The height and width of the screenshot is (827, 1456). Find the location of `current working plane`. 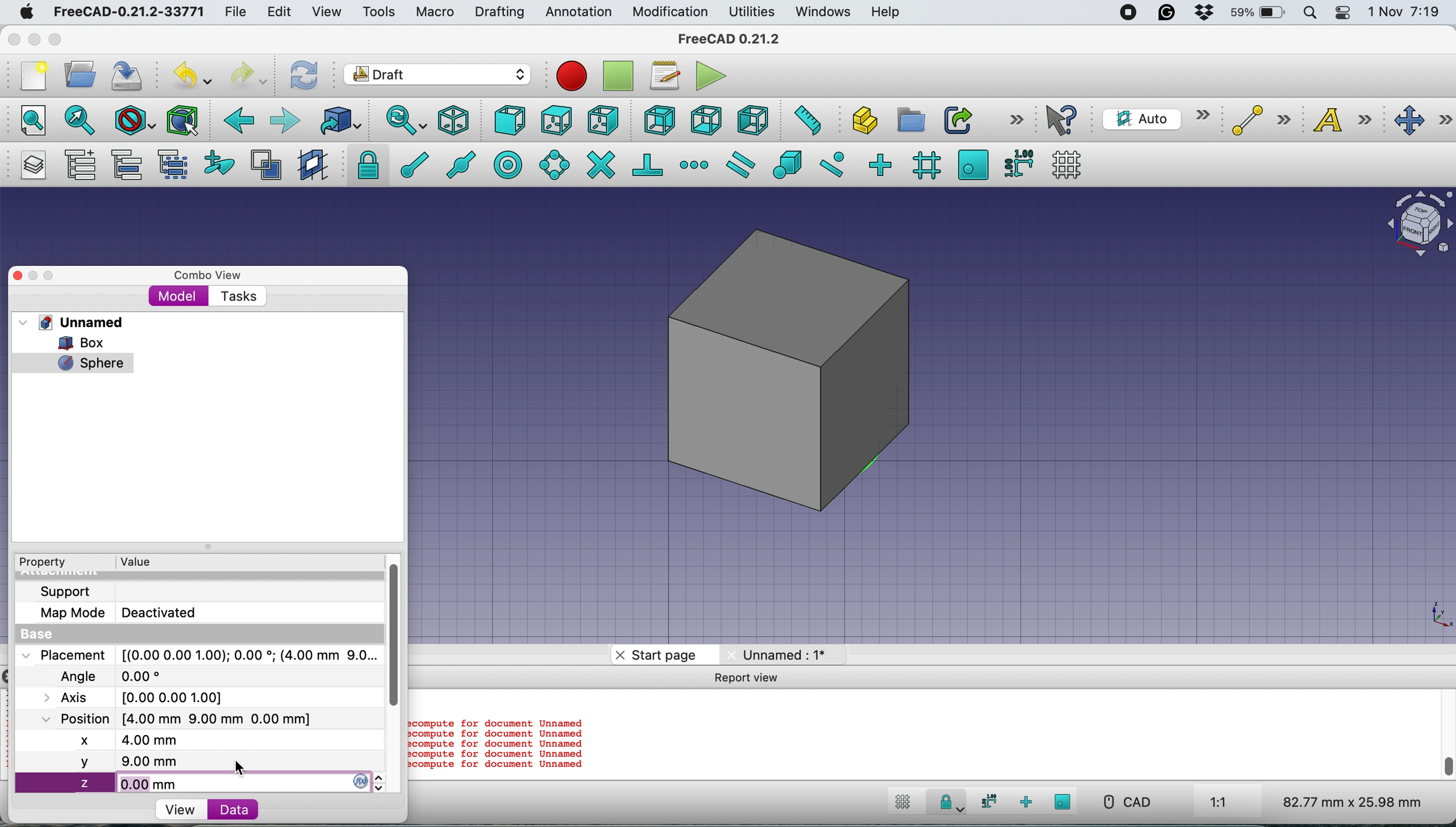

current working plane is located at coordinates (1153, 118).